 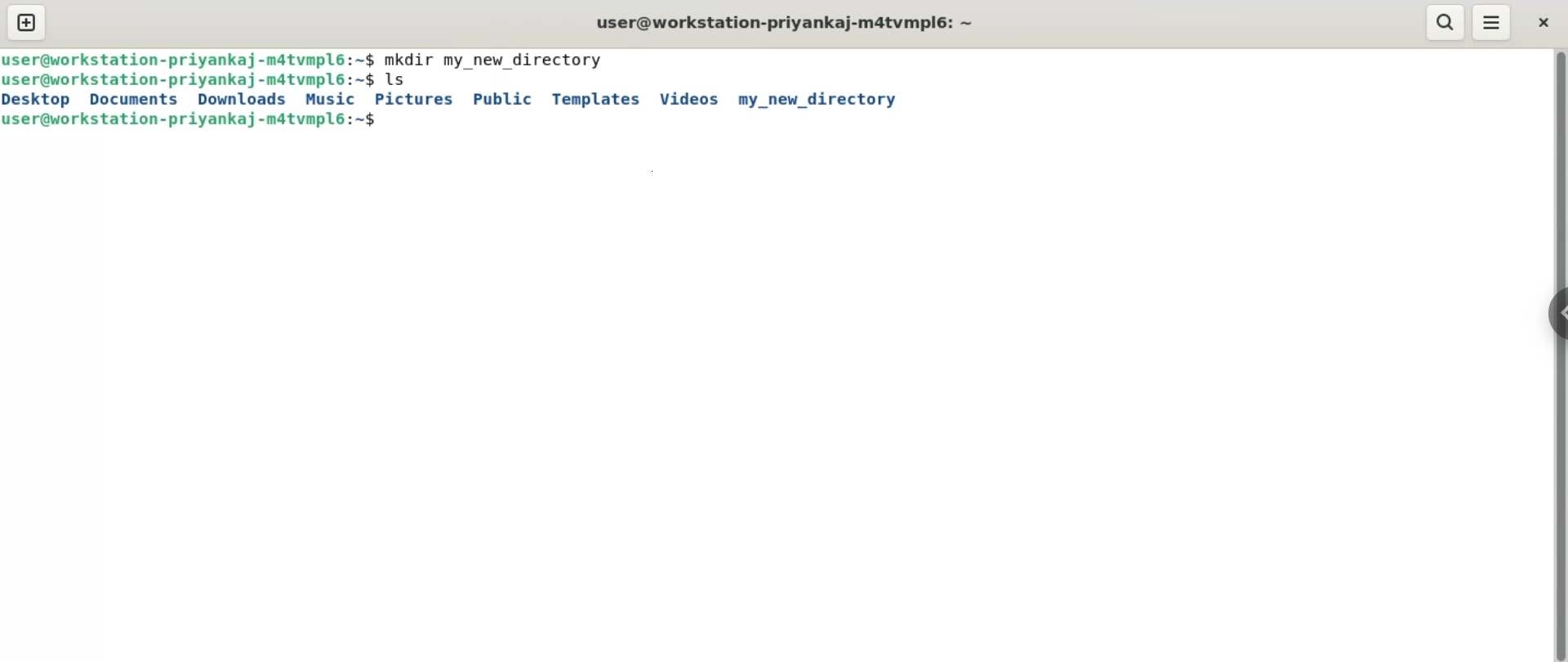 I want to click on vertical scroll bar, so click(x=1558, y=356).